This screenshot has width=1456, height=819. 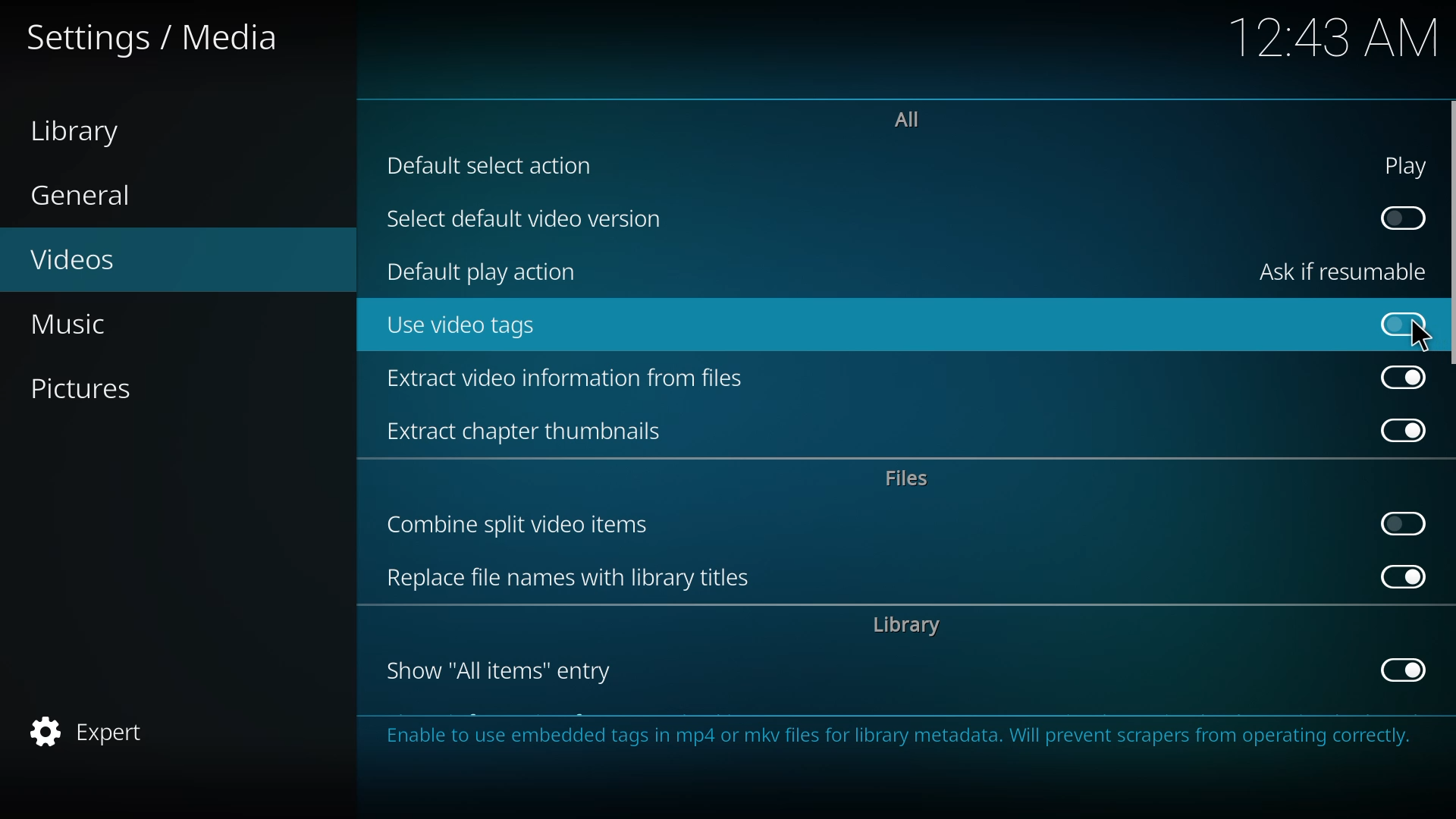 What do you see at coordinates (488, 270) in the screenshot?
I see `default play action` at bounding box center [488, 270].